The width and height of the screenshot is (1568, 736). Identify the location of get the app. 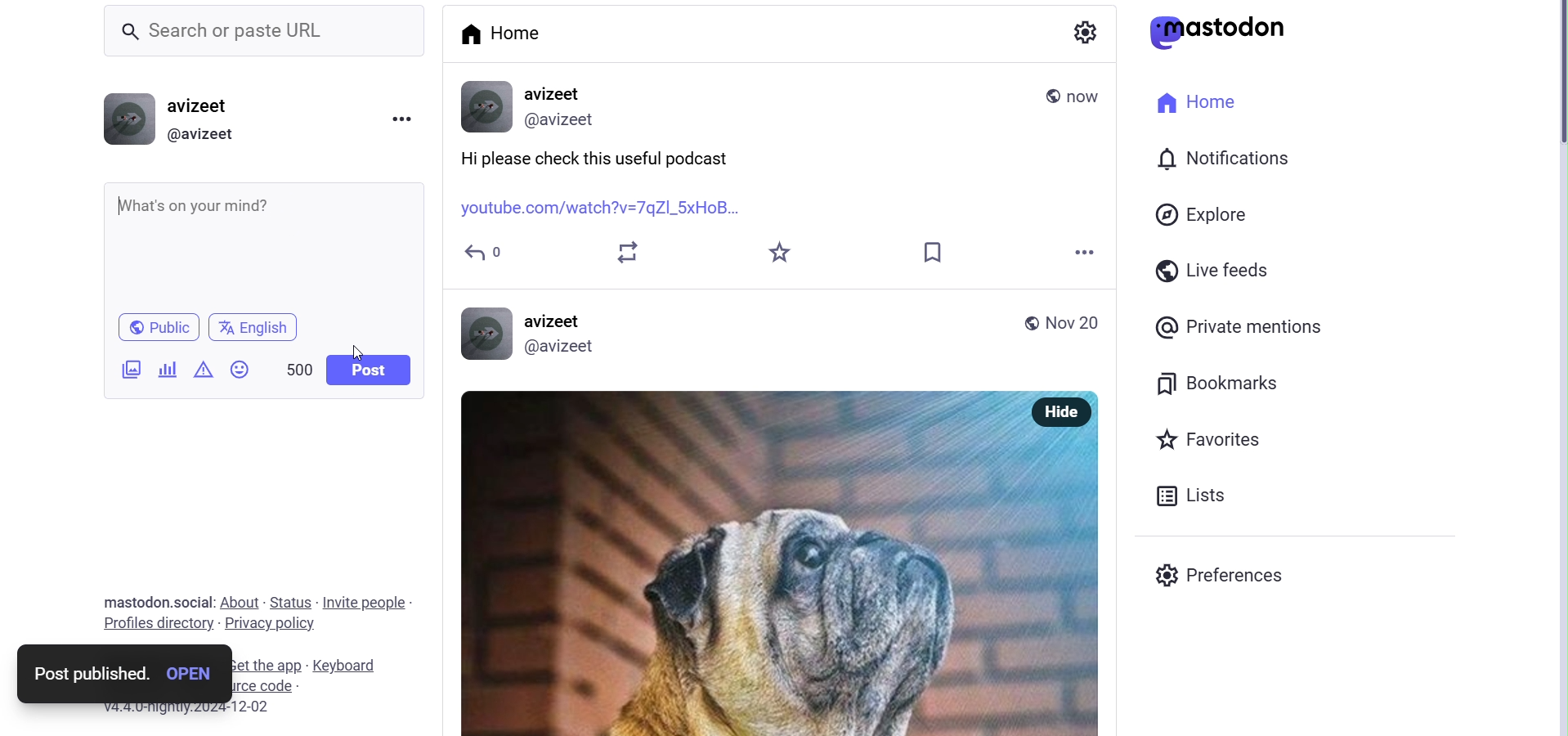
(270, 662).